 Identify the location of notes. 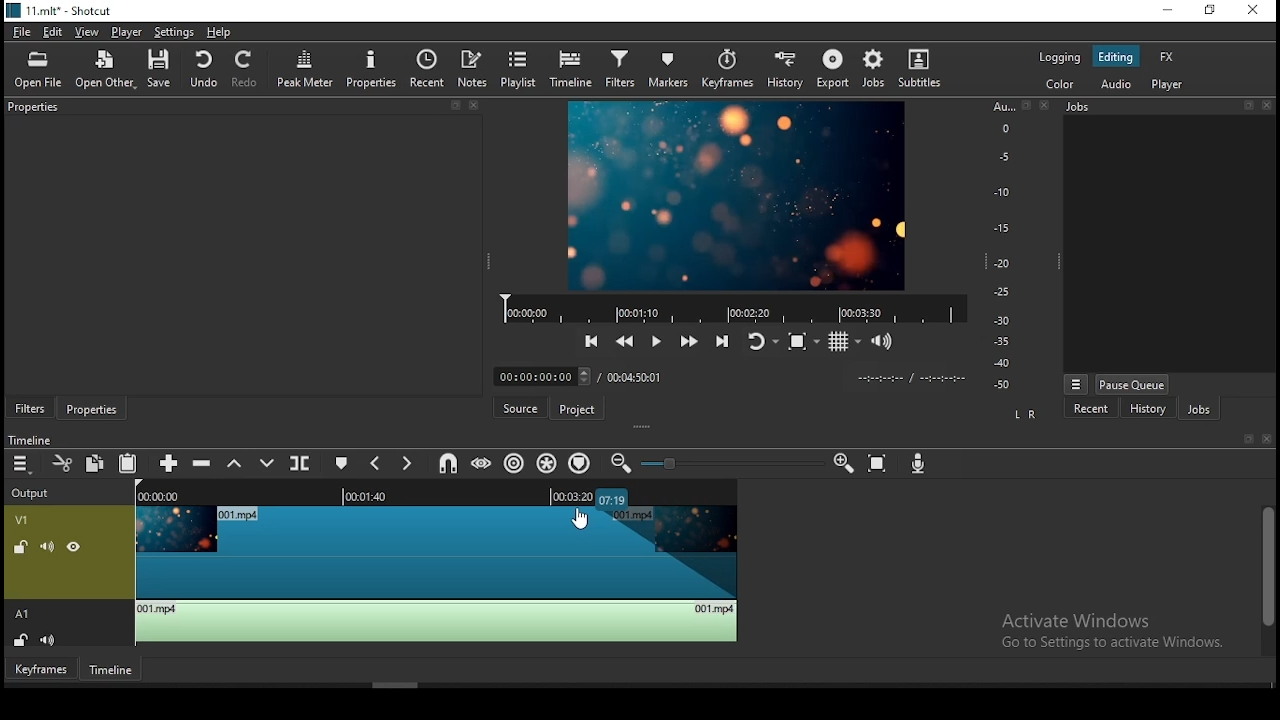
(474, 69).